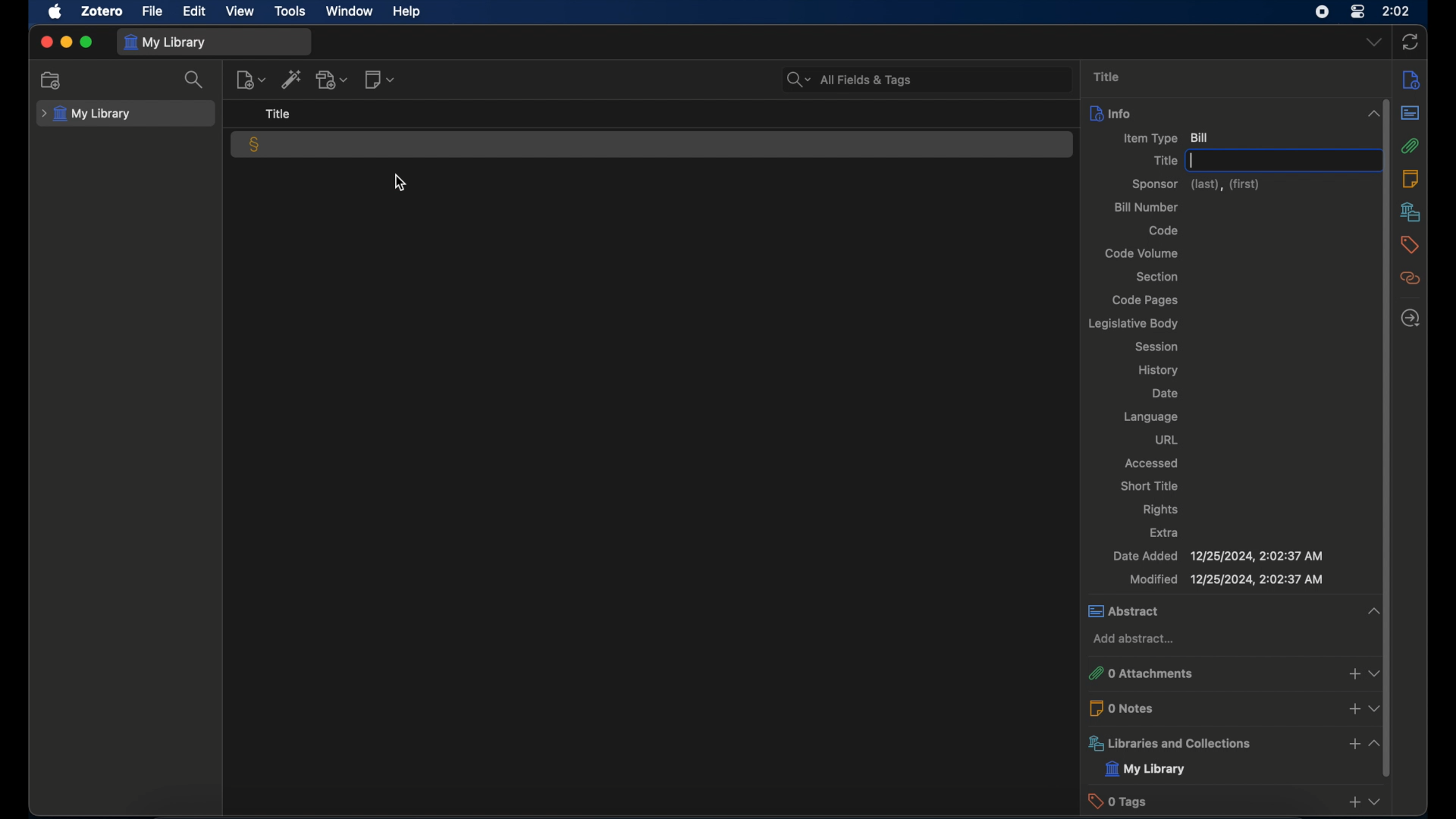 Image resolution: width=1456 pixels, height=819 pixels. Describe the element at coordinates (1133, 639) in the screenshot. I see `add abstract` at that location.